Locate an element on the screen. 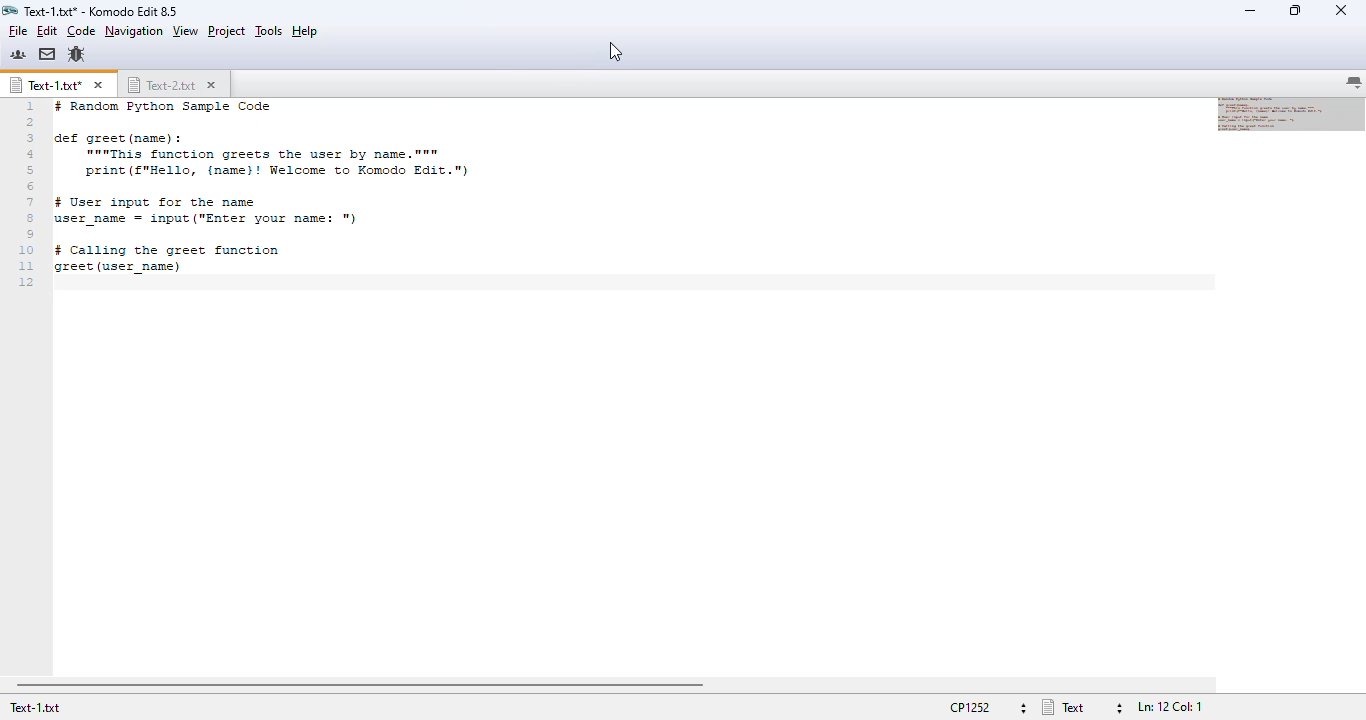  close tab is located at coordinates (211, 85).